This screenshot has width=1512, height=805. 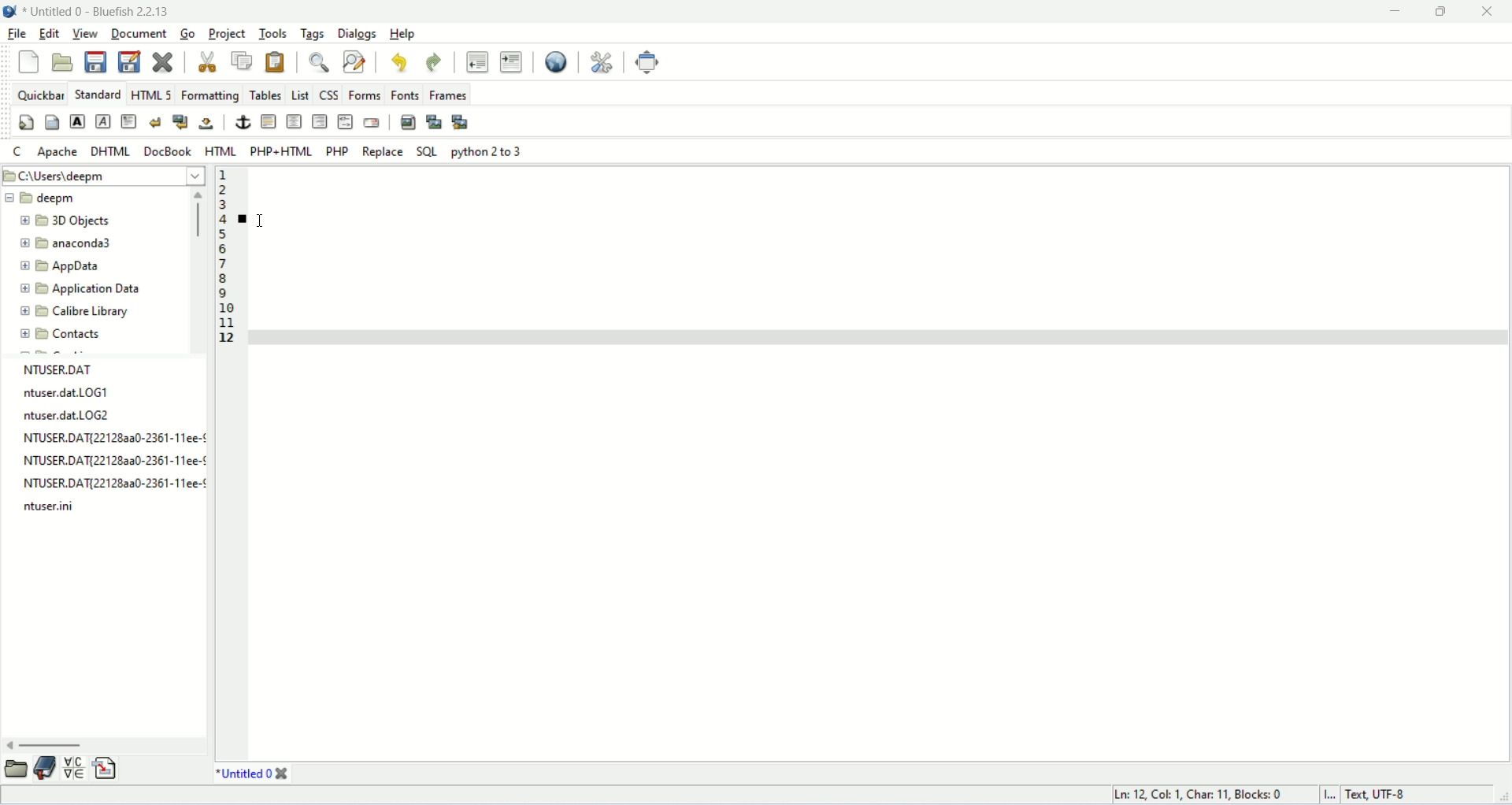 What do you see at coordinates (355, 61) in the screenshot?
I see `find and replace` at bounding box center [355, 61].